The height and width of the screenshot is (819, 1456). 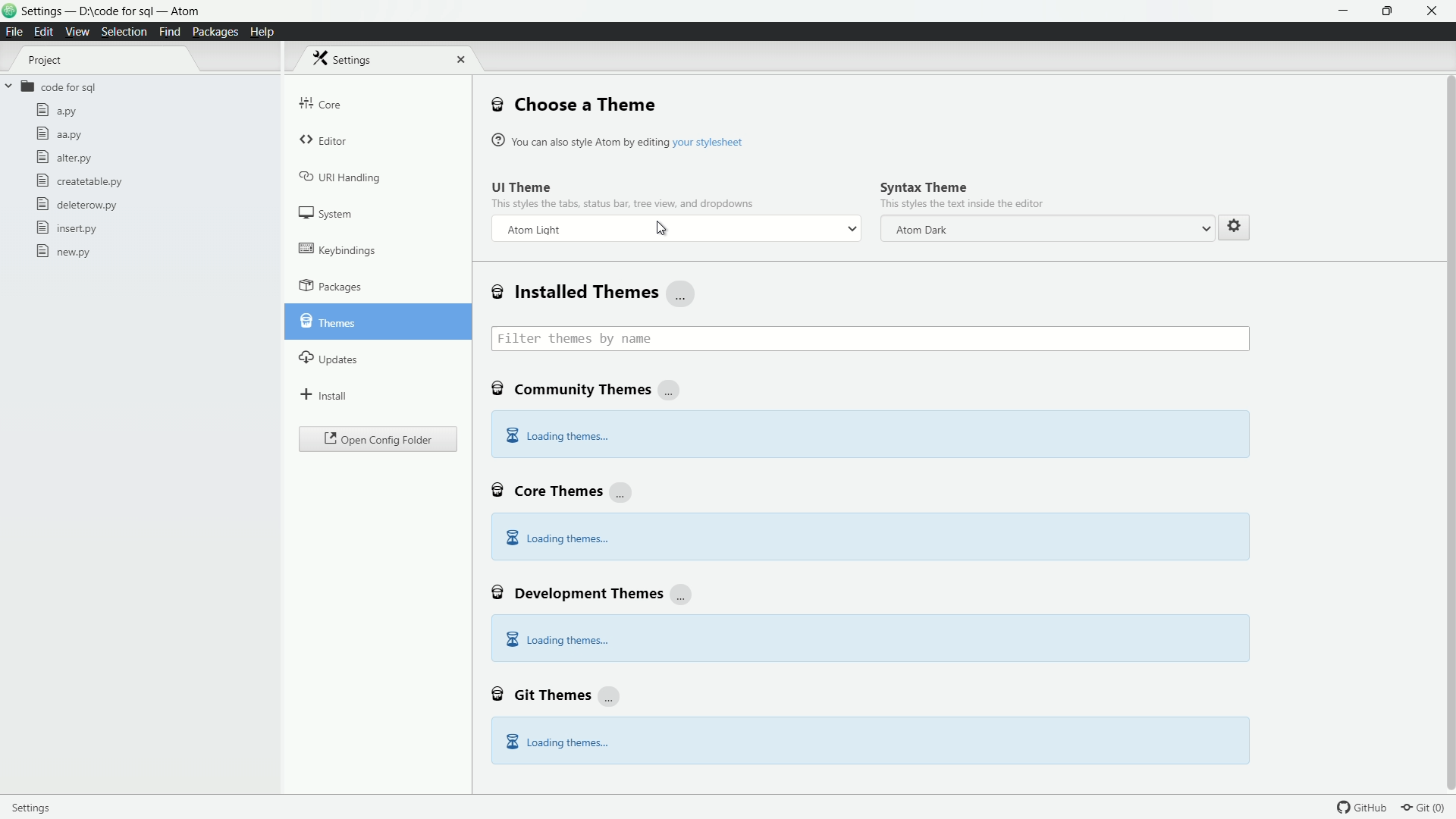 I want to click on selection menu, so click(x=124, y=33).